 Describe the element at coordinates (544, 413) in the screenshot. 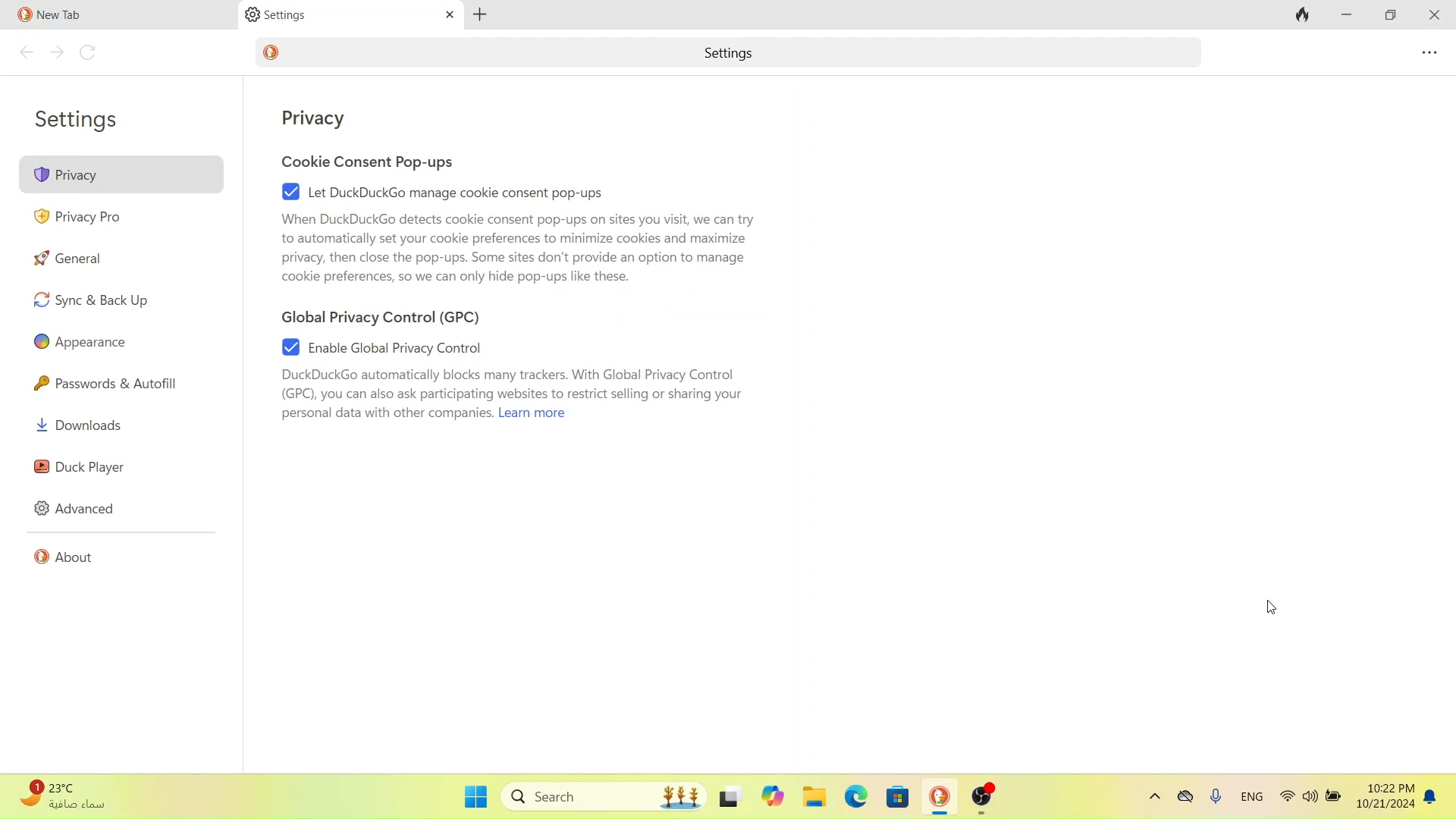

I see `learn more` at that location.